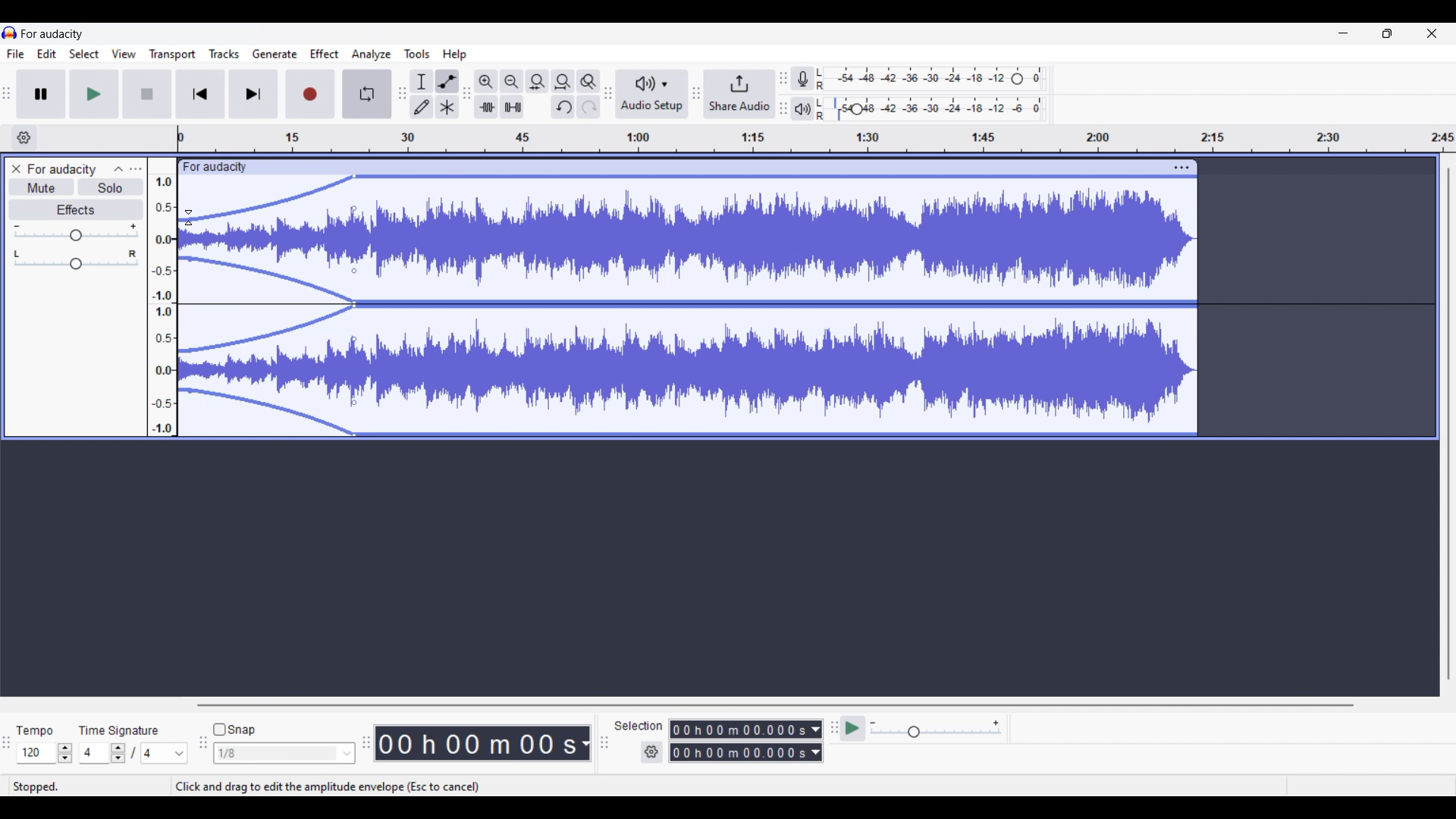  What do you see at coordinates (853, 728) in the screenshot?
I see `play at speed` at bounding box center [853, 728].